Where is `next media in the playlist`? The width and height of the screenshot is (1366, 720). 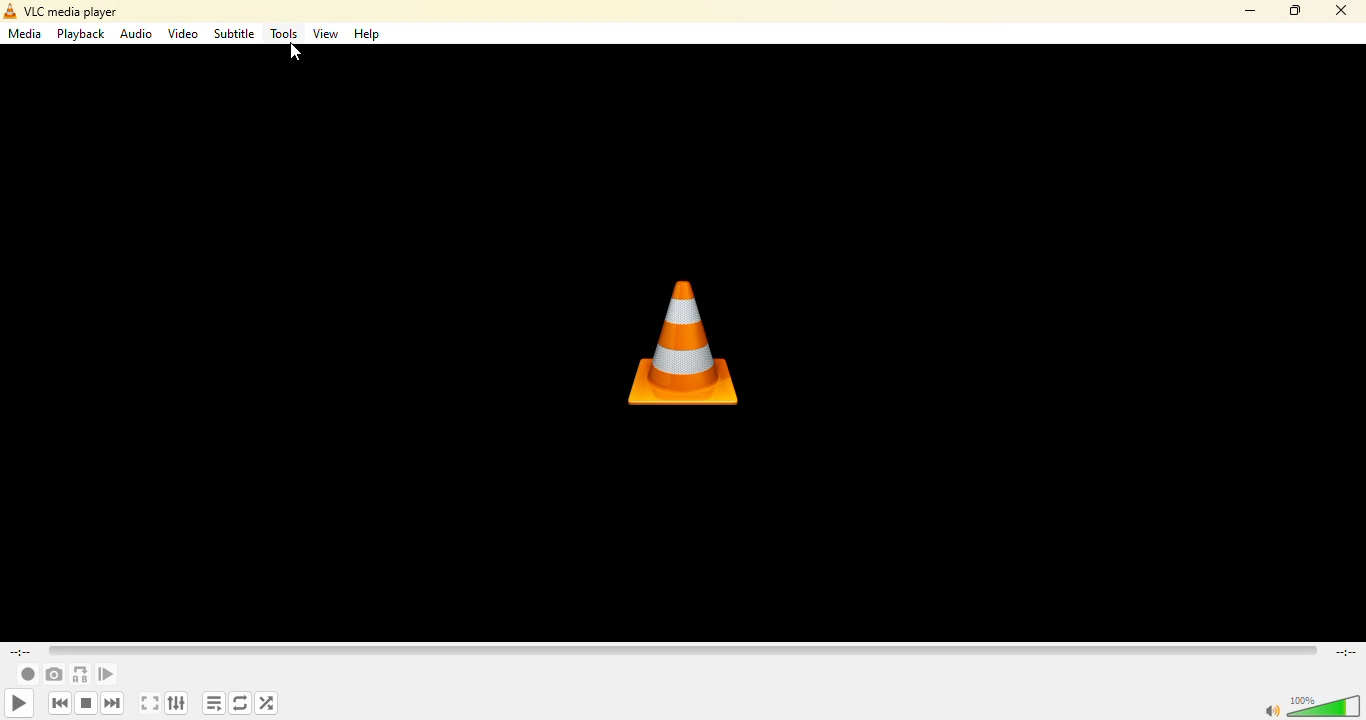
next media in the playlist is located at coordinates (112, 703).